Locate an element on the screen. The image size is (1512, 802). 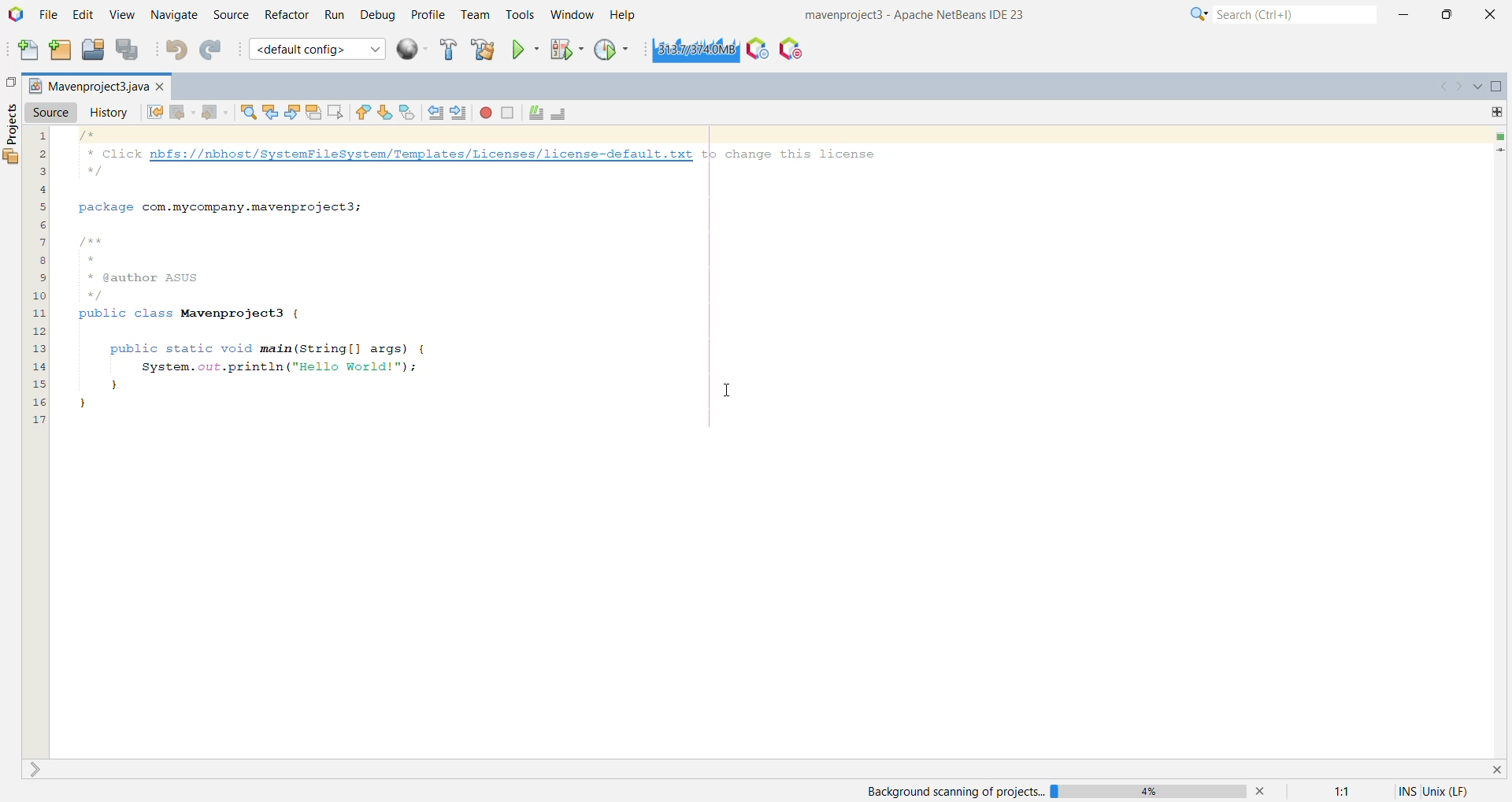
Search is located at coordinates (1295, 17).